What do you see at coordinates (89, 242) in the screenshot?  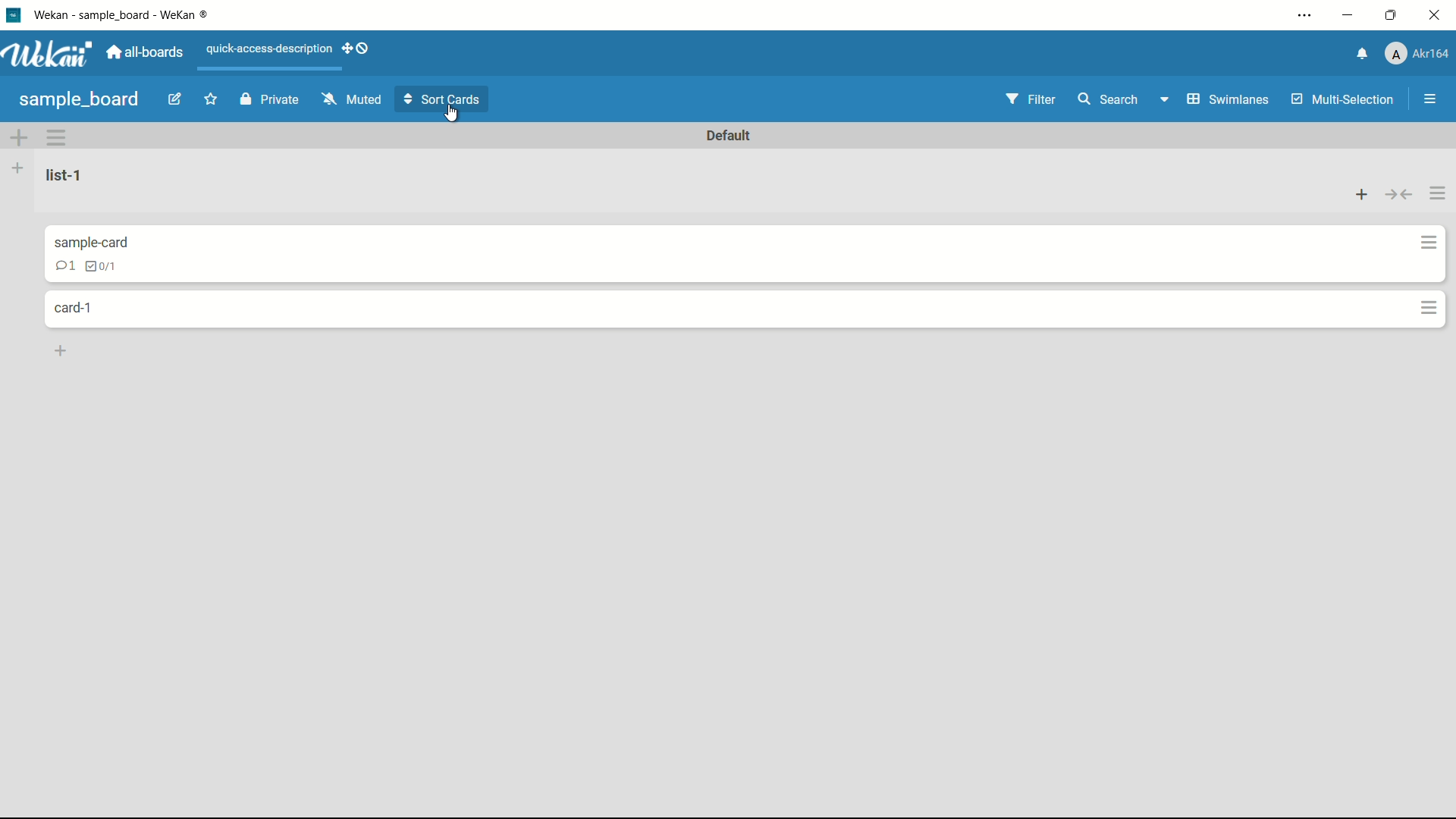 I see `card name` at bounding box center [89, 242].